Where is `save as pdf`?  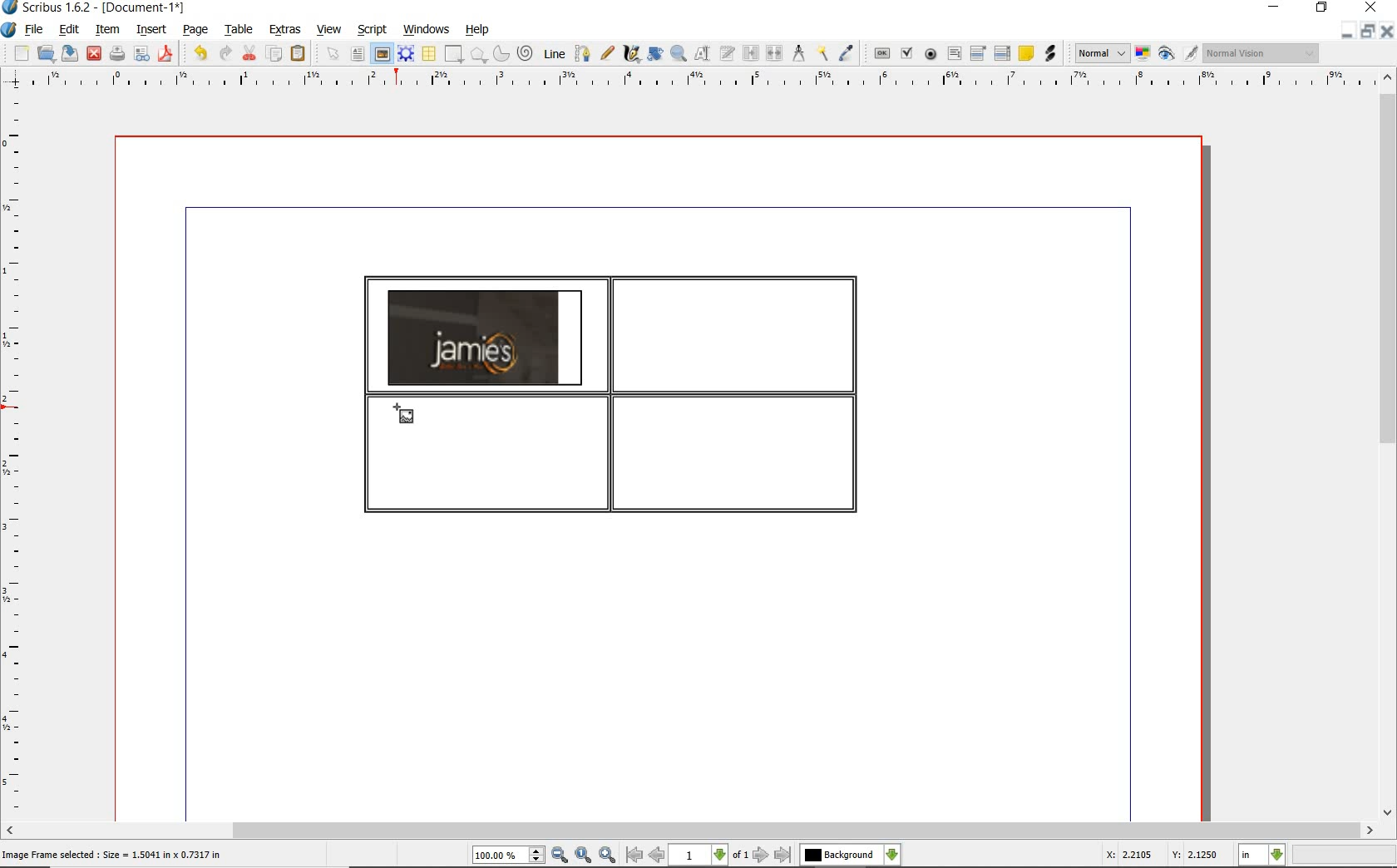 save as pdf is located at coordinates (165, 53).